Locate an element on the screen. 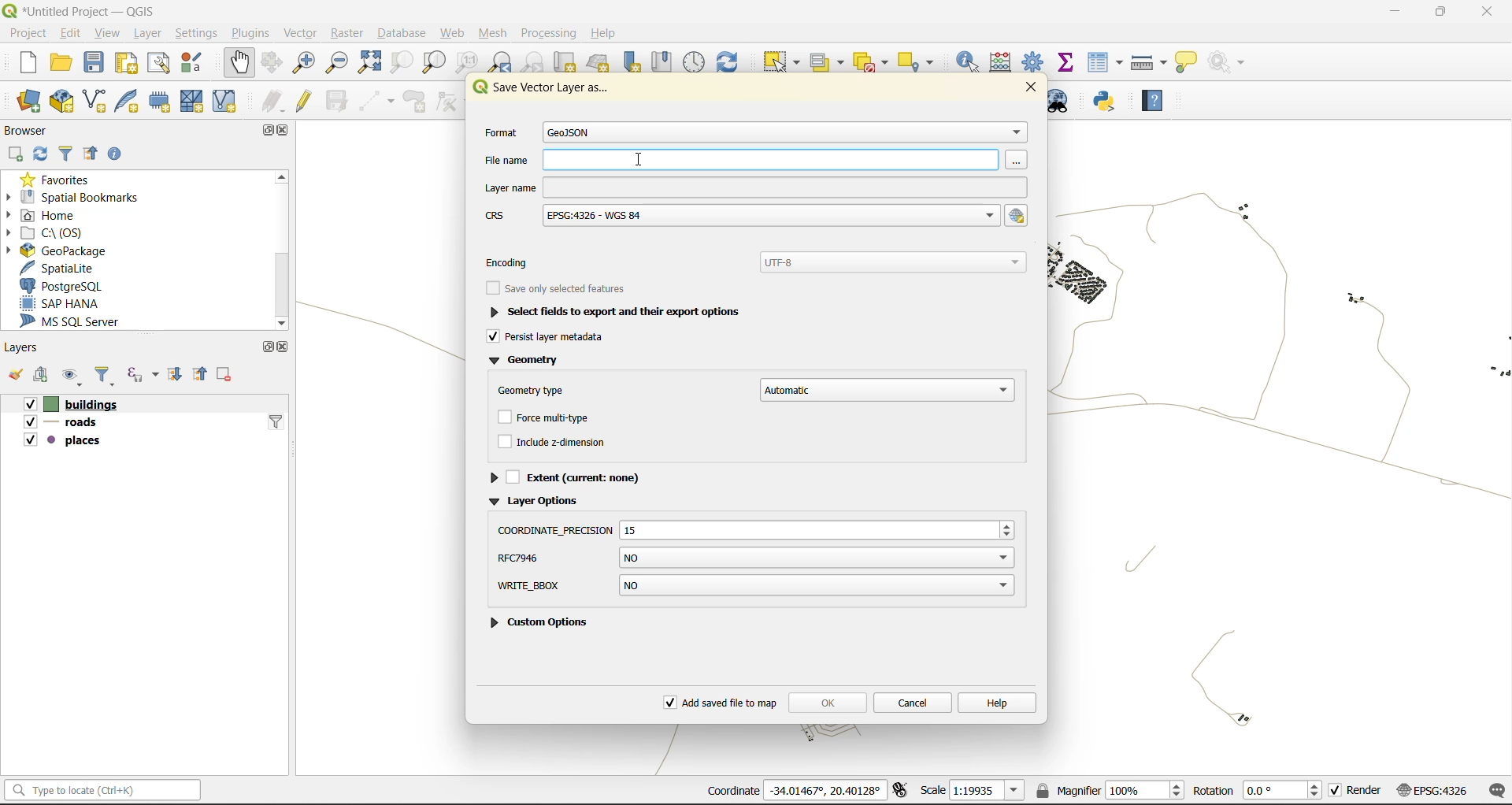 The height and width of the screenshot is (805, 1512). geometry type is located at coordinates (754, 388).